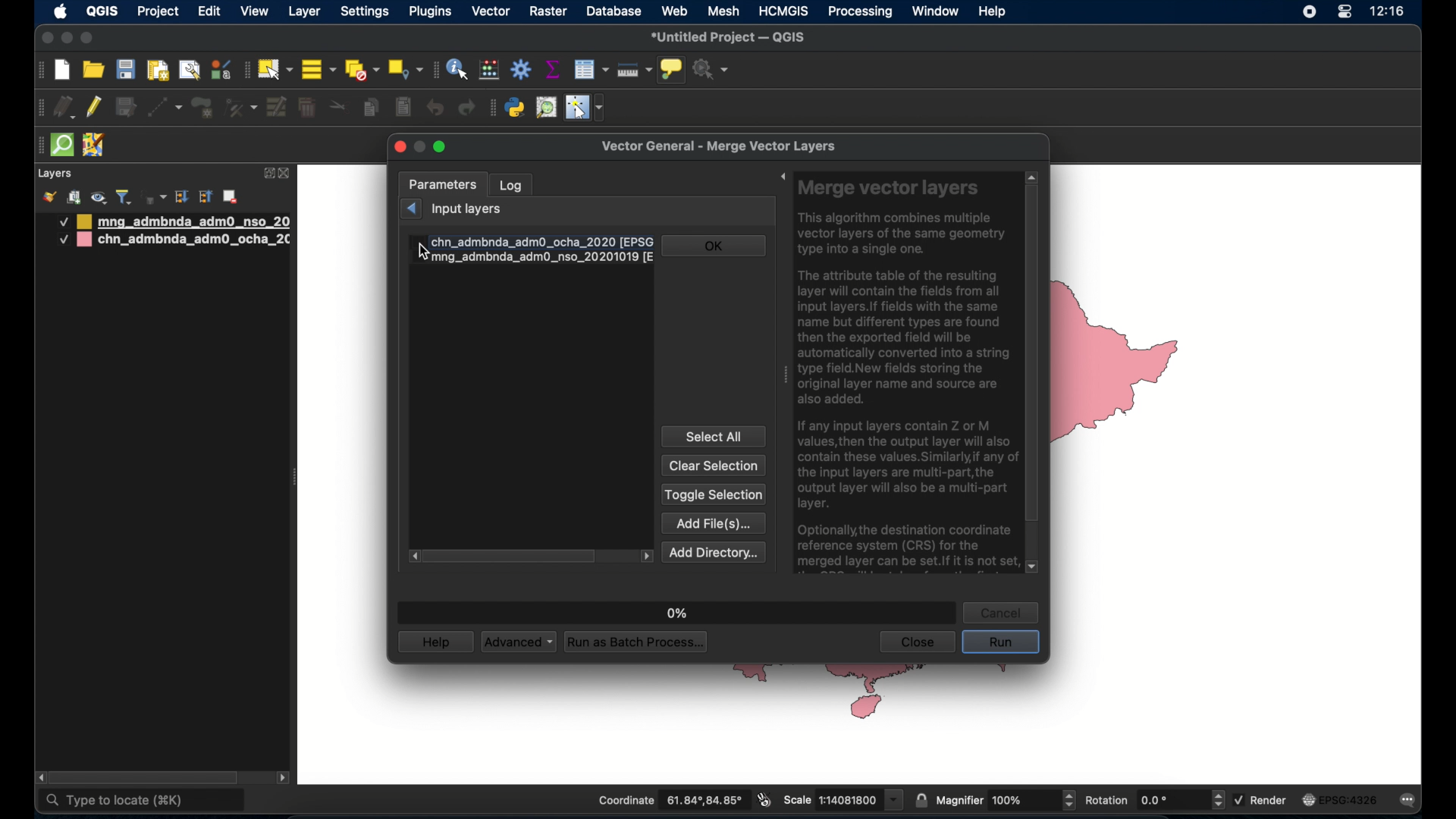  What do you see at coordinates (1006, 800) in the screenshot?
I see `magnifier` at bounding box center [1006, 800].